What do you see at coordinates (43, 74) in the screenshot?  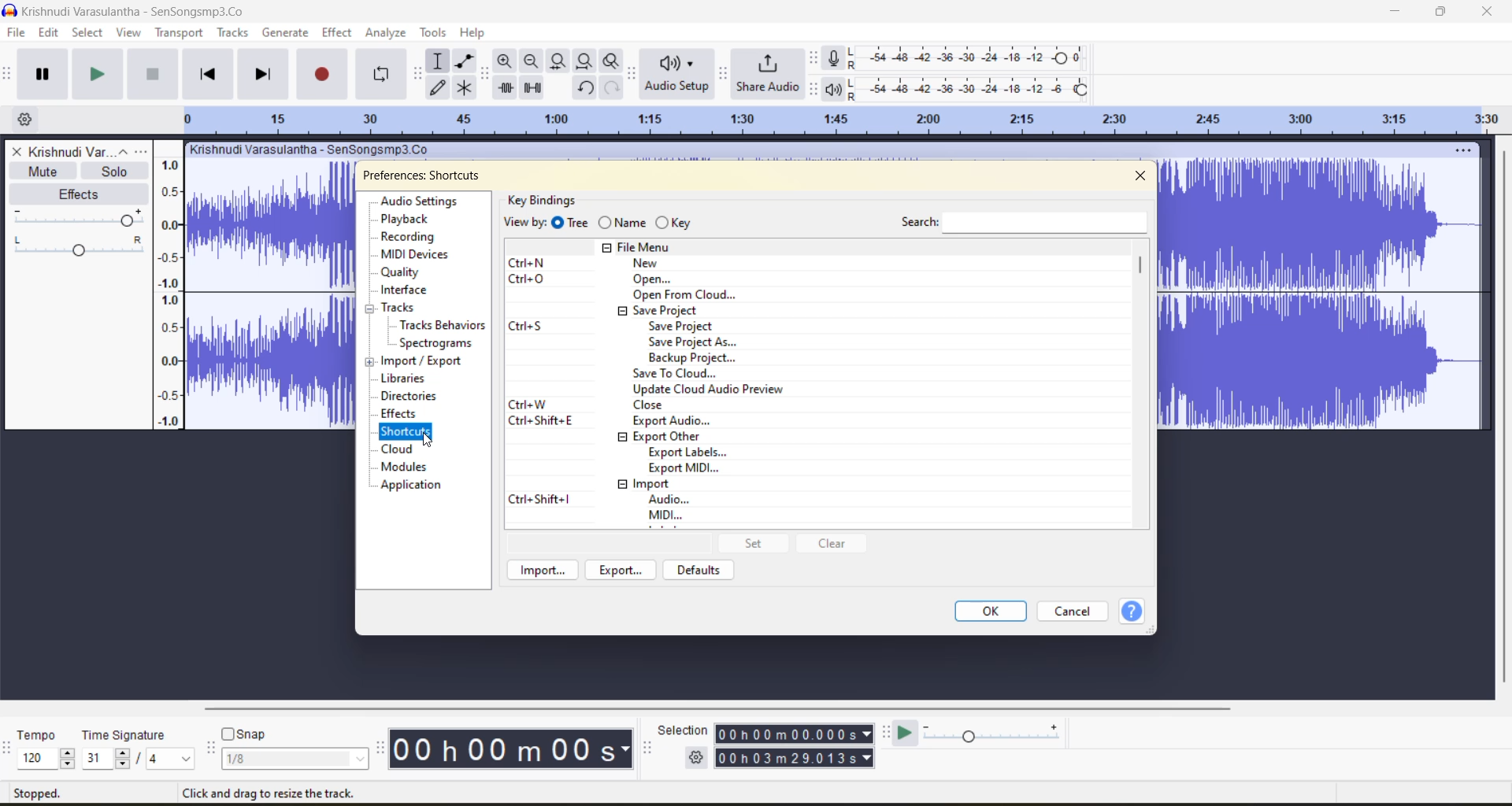 I see `pause` at bounding box center [43, 74].